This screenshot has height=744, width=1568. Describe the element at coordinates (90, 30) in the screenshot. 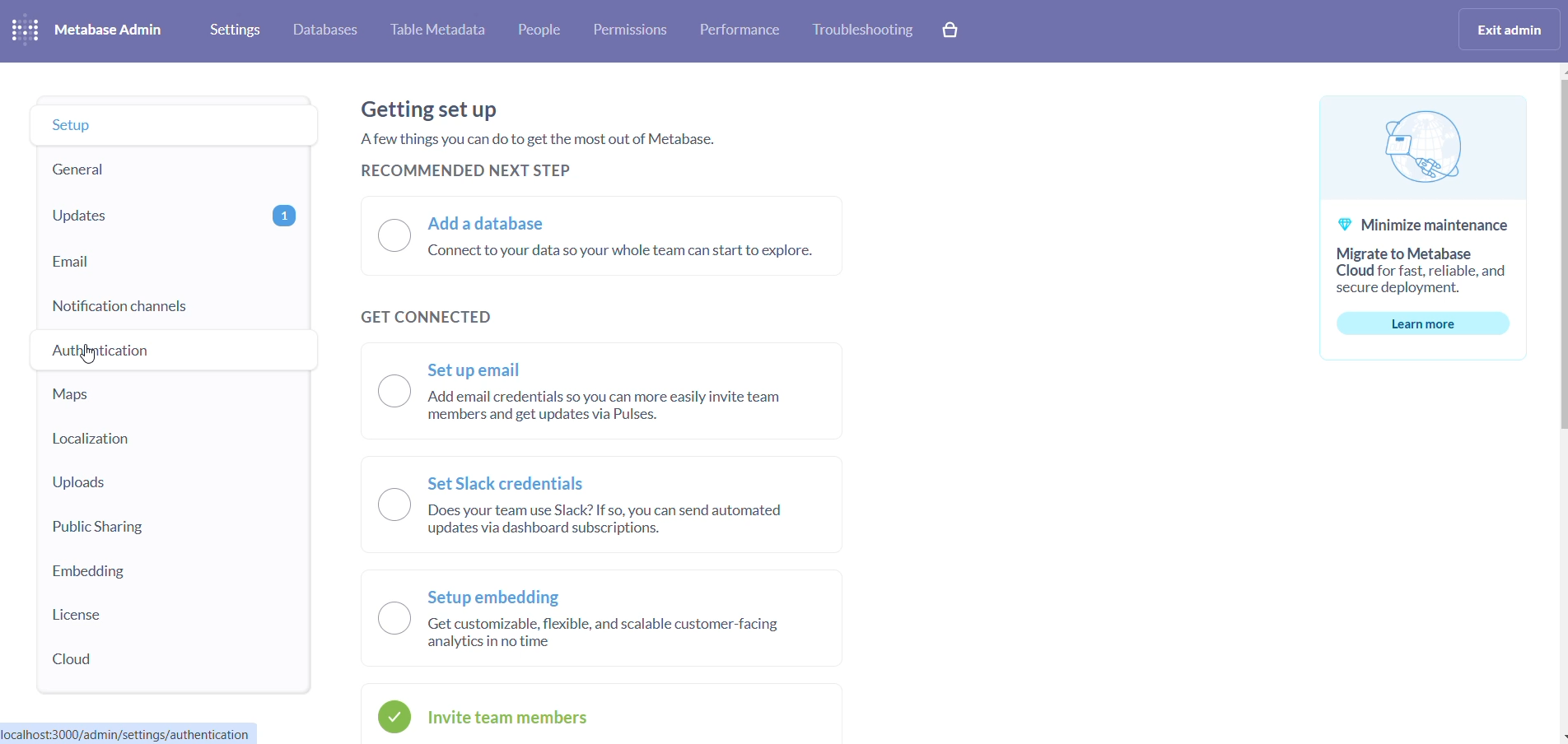

I see `logo and heading` at that location.